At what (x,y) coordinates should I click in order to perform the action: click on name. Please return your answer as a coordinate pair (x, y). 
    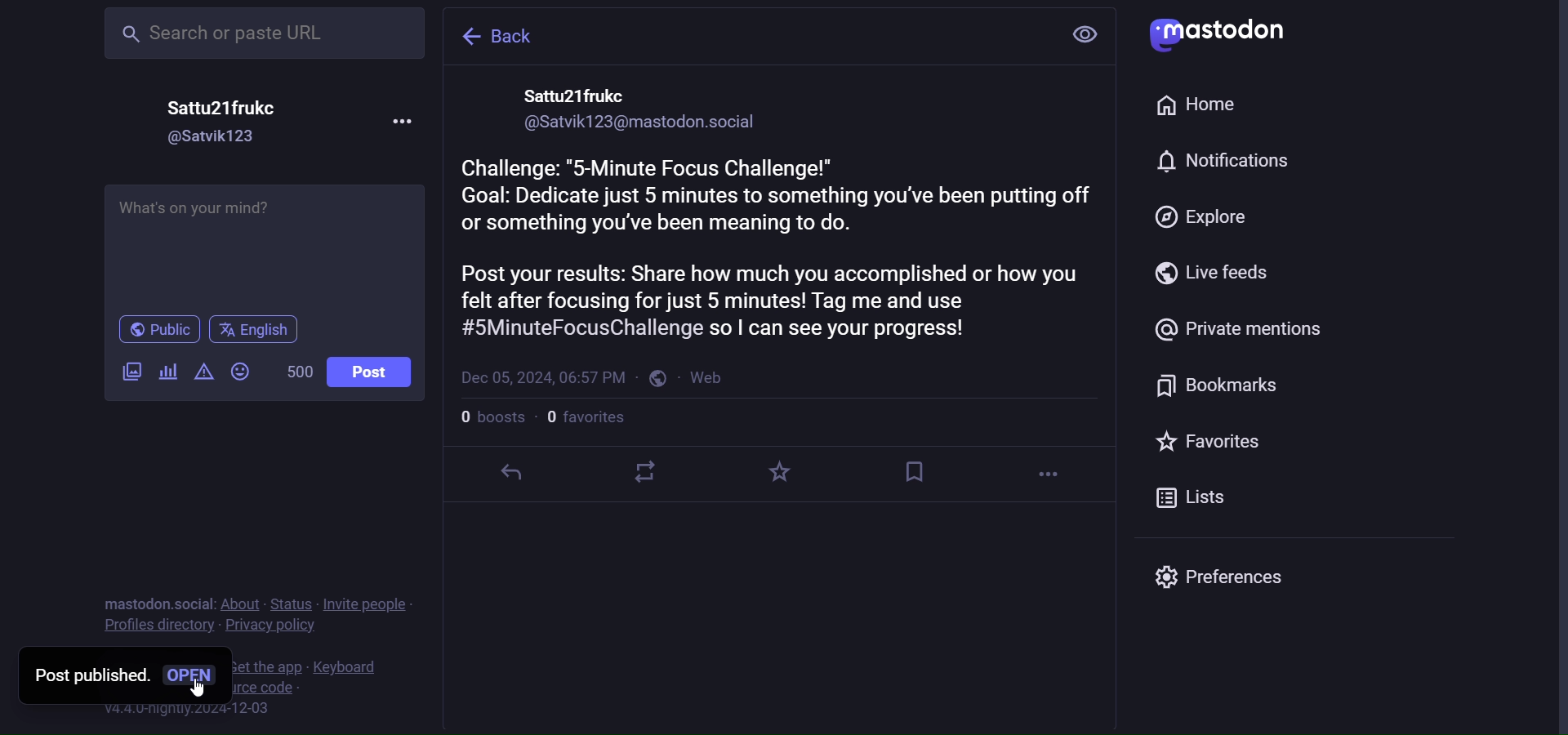
    Looking at the image, I should click on (582, 93).